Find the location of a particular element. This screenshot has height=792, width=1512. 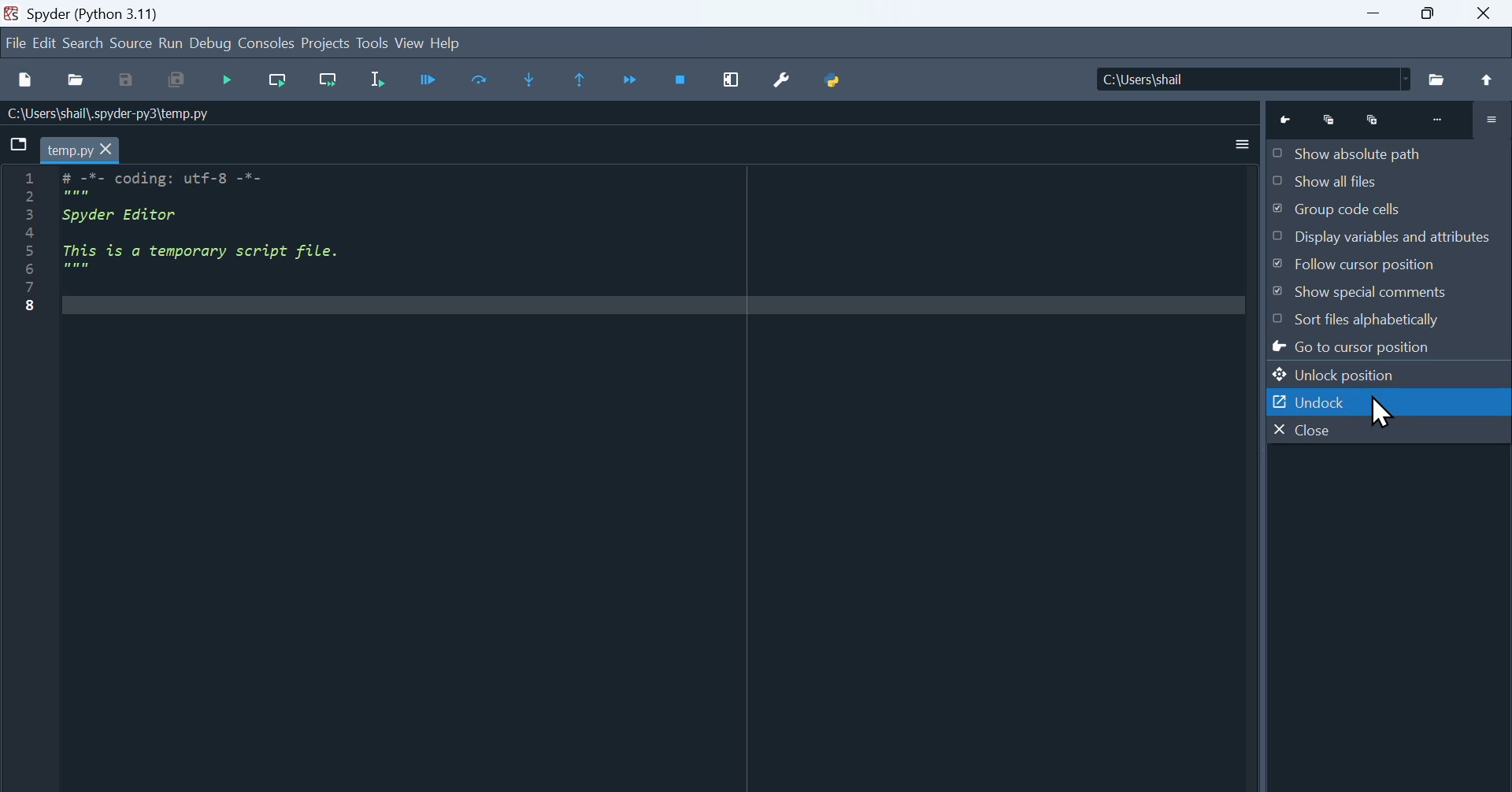

save is located at coordinates (128, 80).